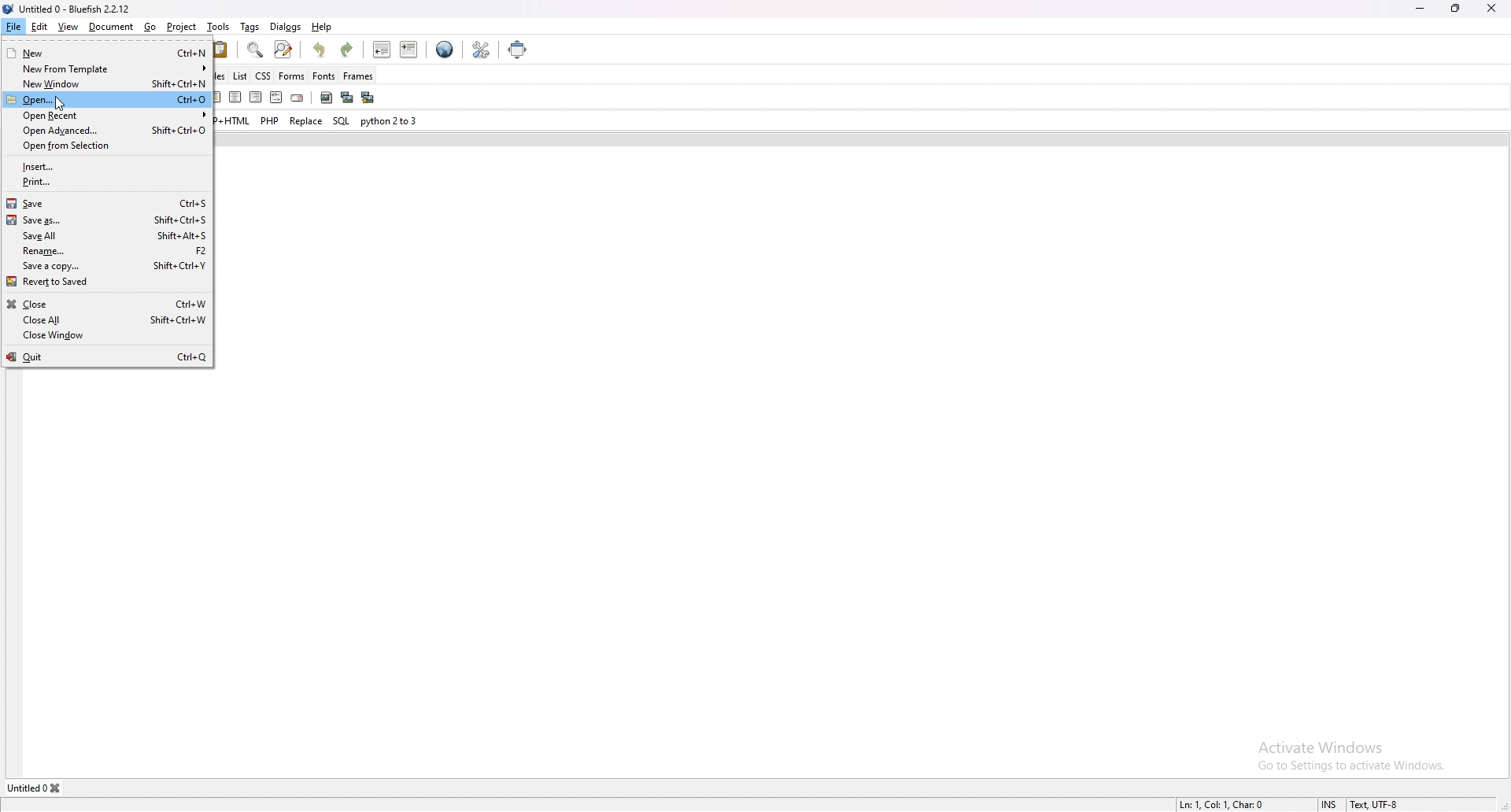  What do you see at coordinates (321, 50) in the screenshot?
I see `undo` at bounding box center [321, 50].